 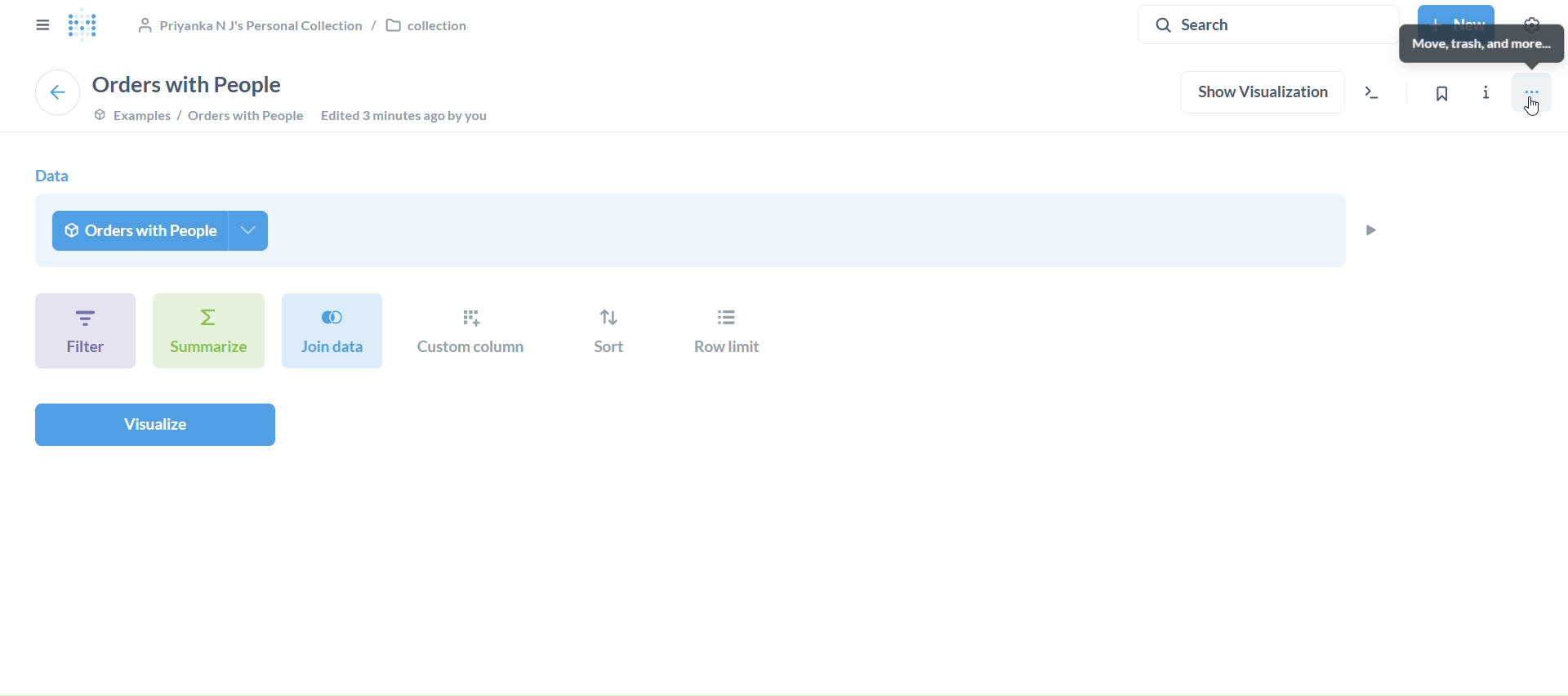 What do you see at coordinates (85, 330) in the screenshot?
I see `filter` at bounding box center [85, 330].